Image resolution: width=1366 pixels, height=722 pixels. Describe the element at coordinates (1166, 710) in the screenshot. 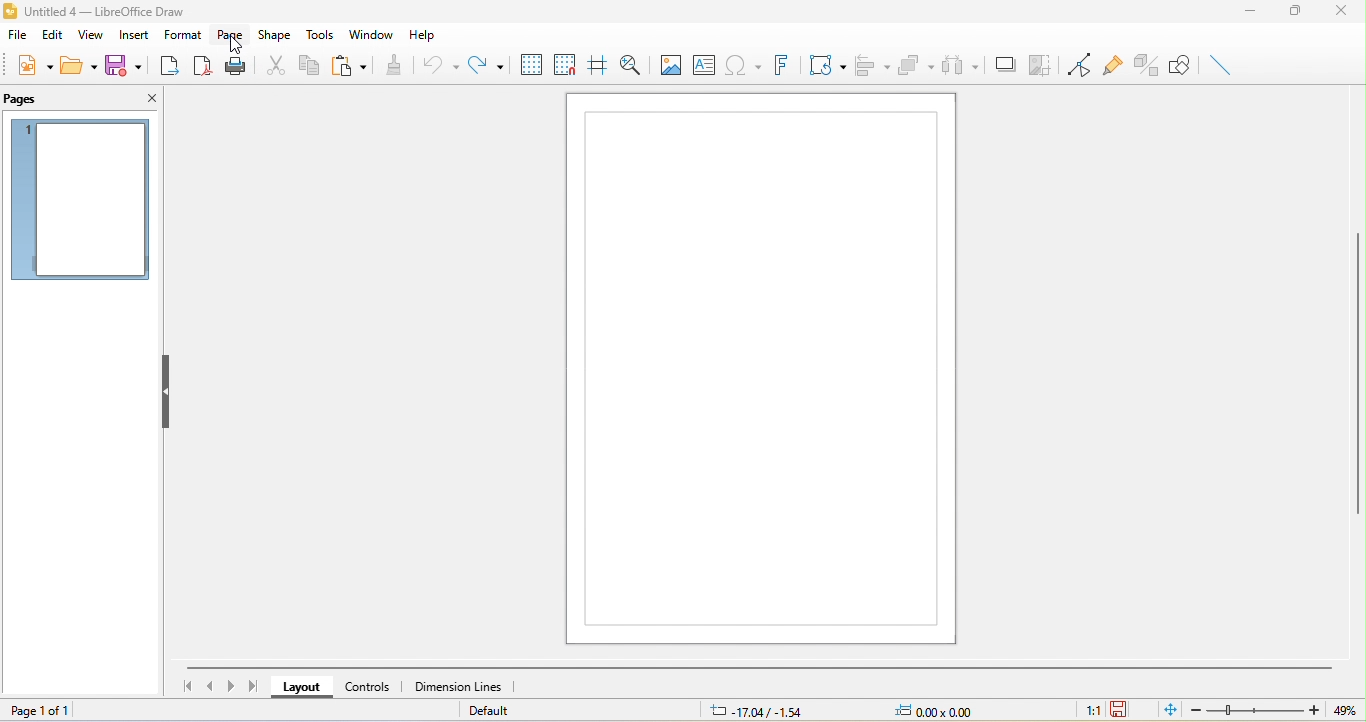

I see `fit to the current page` at that location.